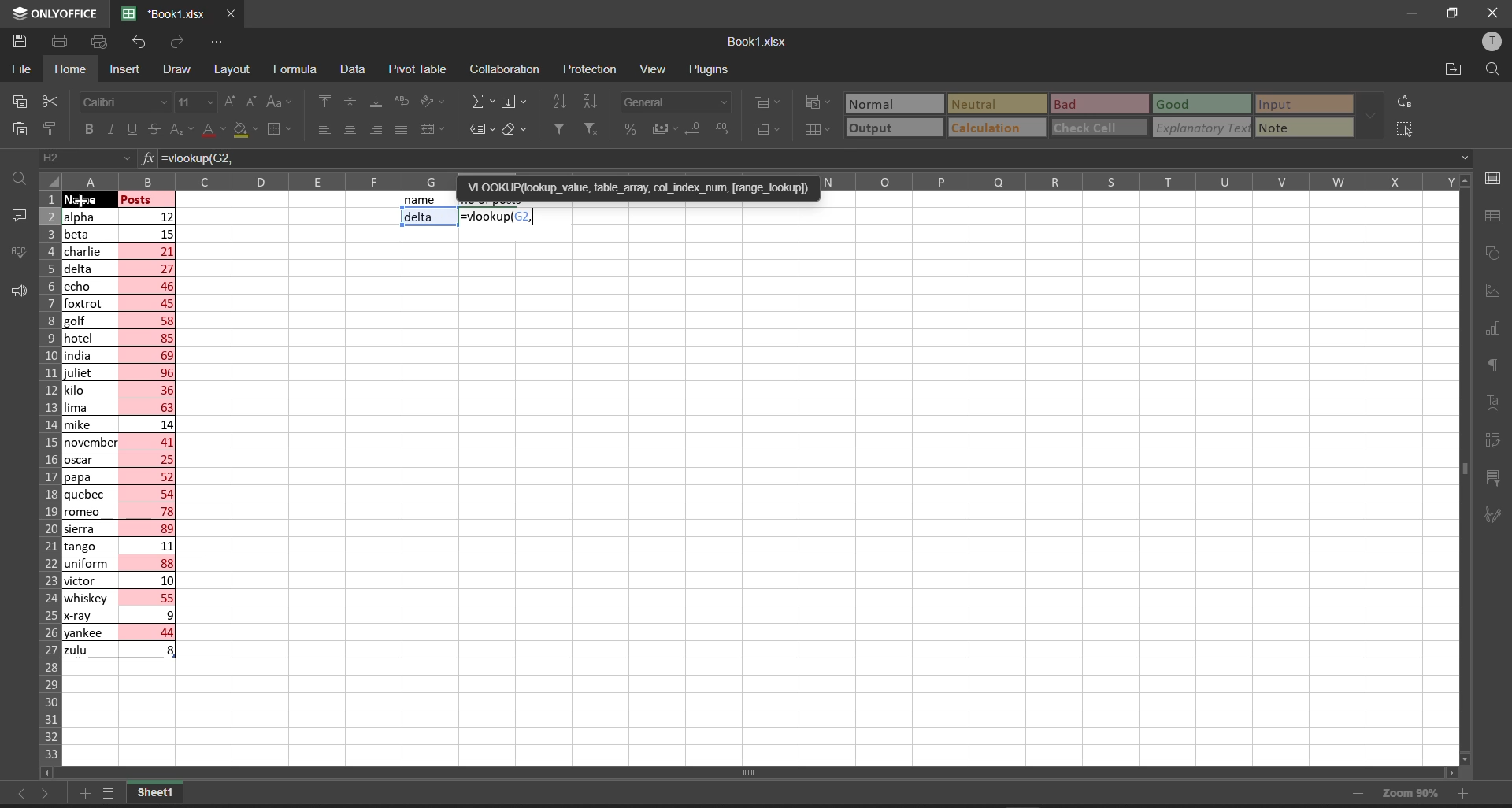 This screenshot has height=808, width=1512. Describe the element at coordinates (517, 102) in the screenshot. I see `fill` at that location.